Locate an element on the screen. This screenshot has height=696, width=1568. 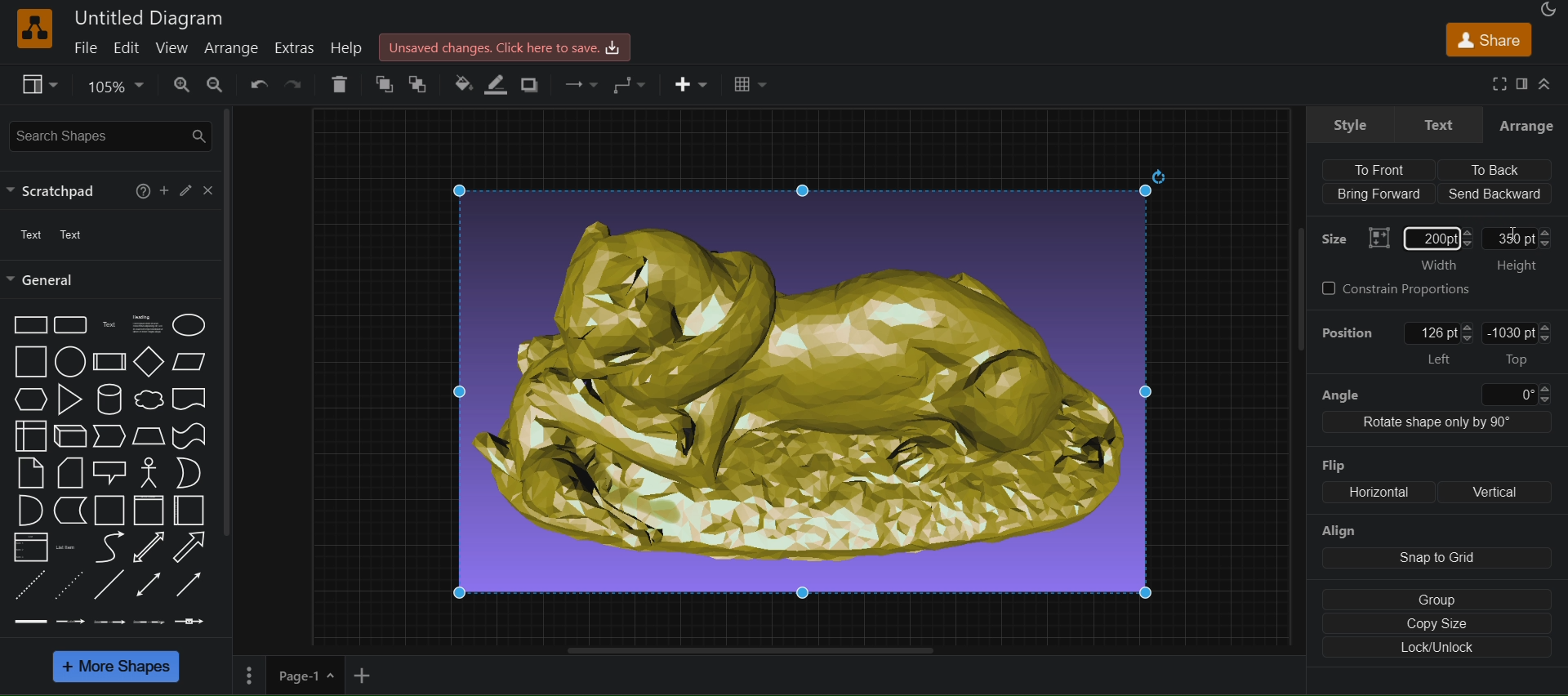
help is located at coordinates (140, 190).